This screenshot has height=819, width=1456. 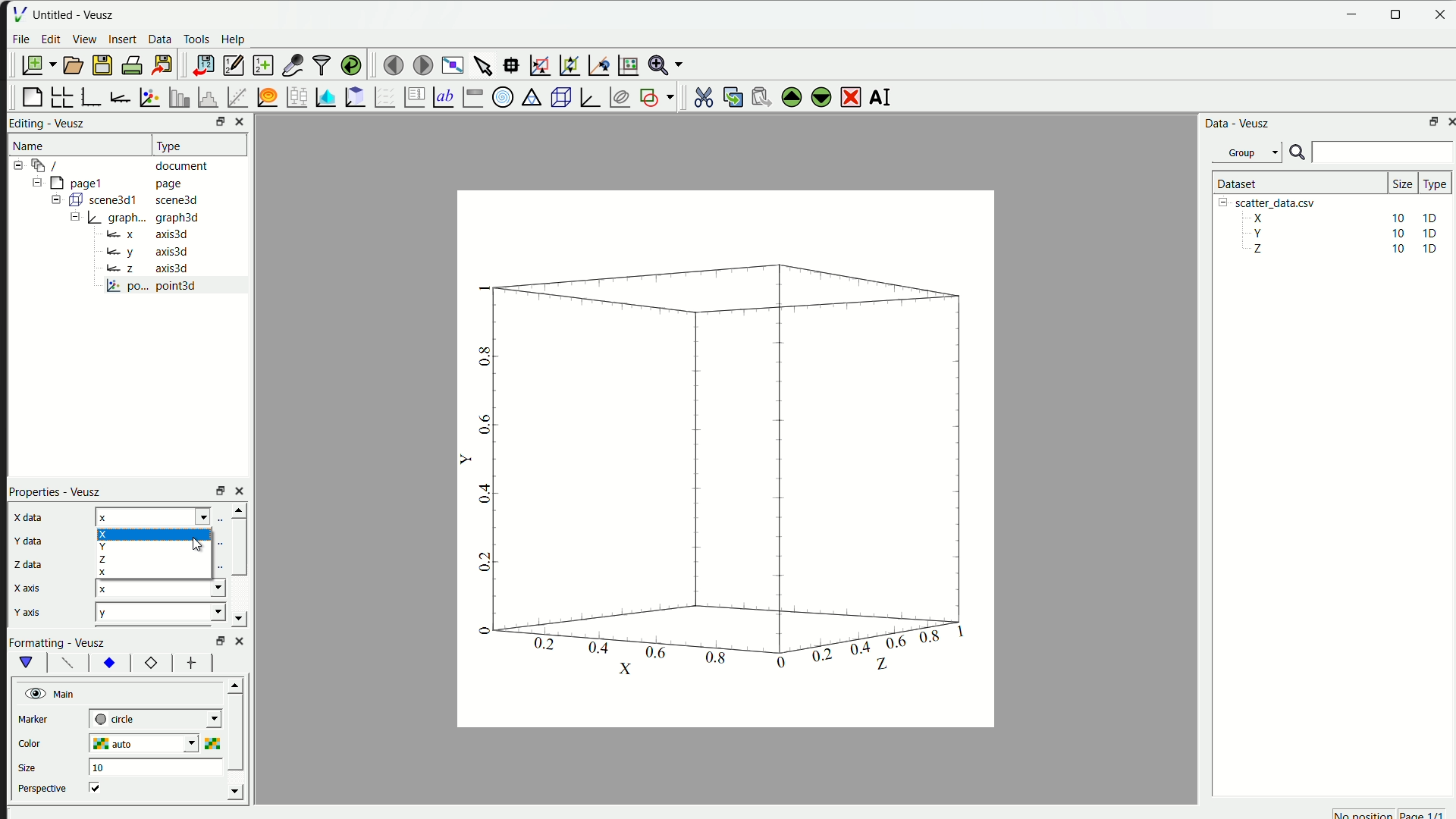 I want to click on | next-tick, so click(x=162, y=720).